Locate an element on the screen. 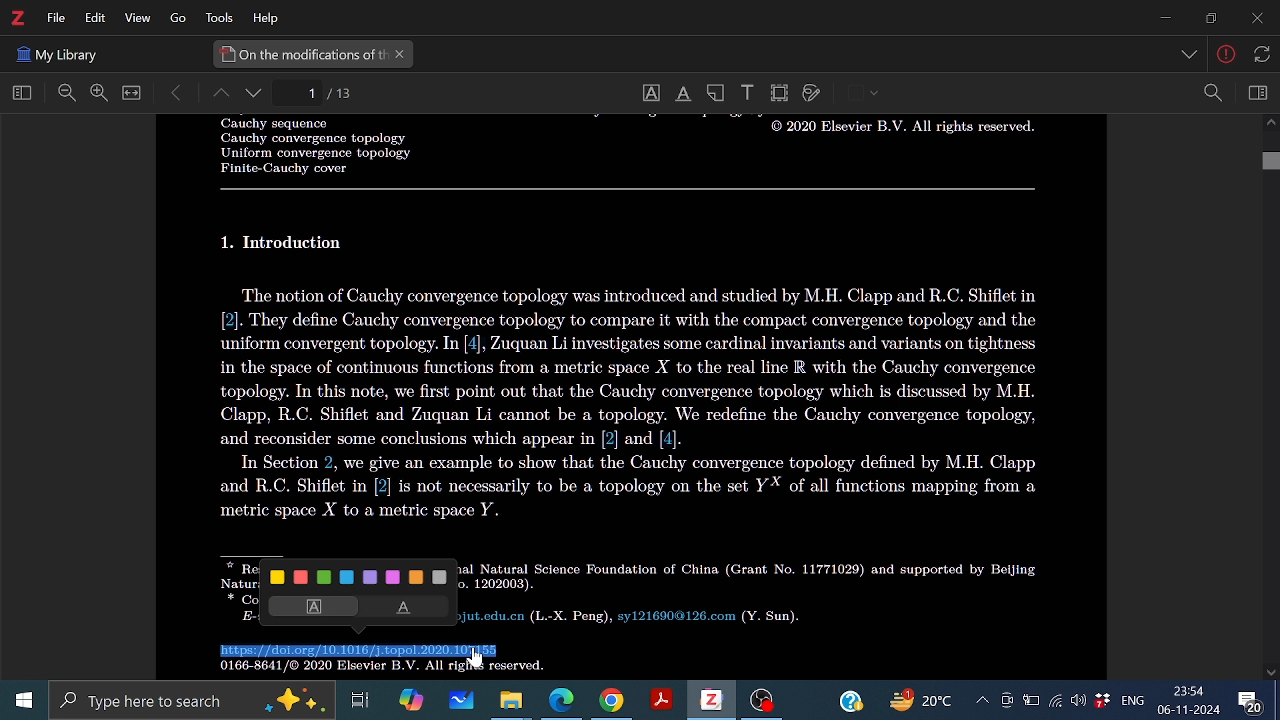 This screenshot has width=1280, height=720. Minmize is located at coordinates (1164, 19).